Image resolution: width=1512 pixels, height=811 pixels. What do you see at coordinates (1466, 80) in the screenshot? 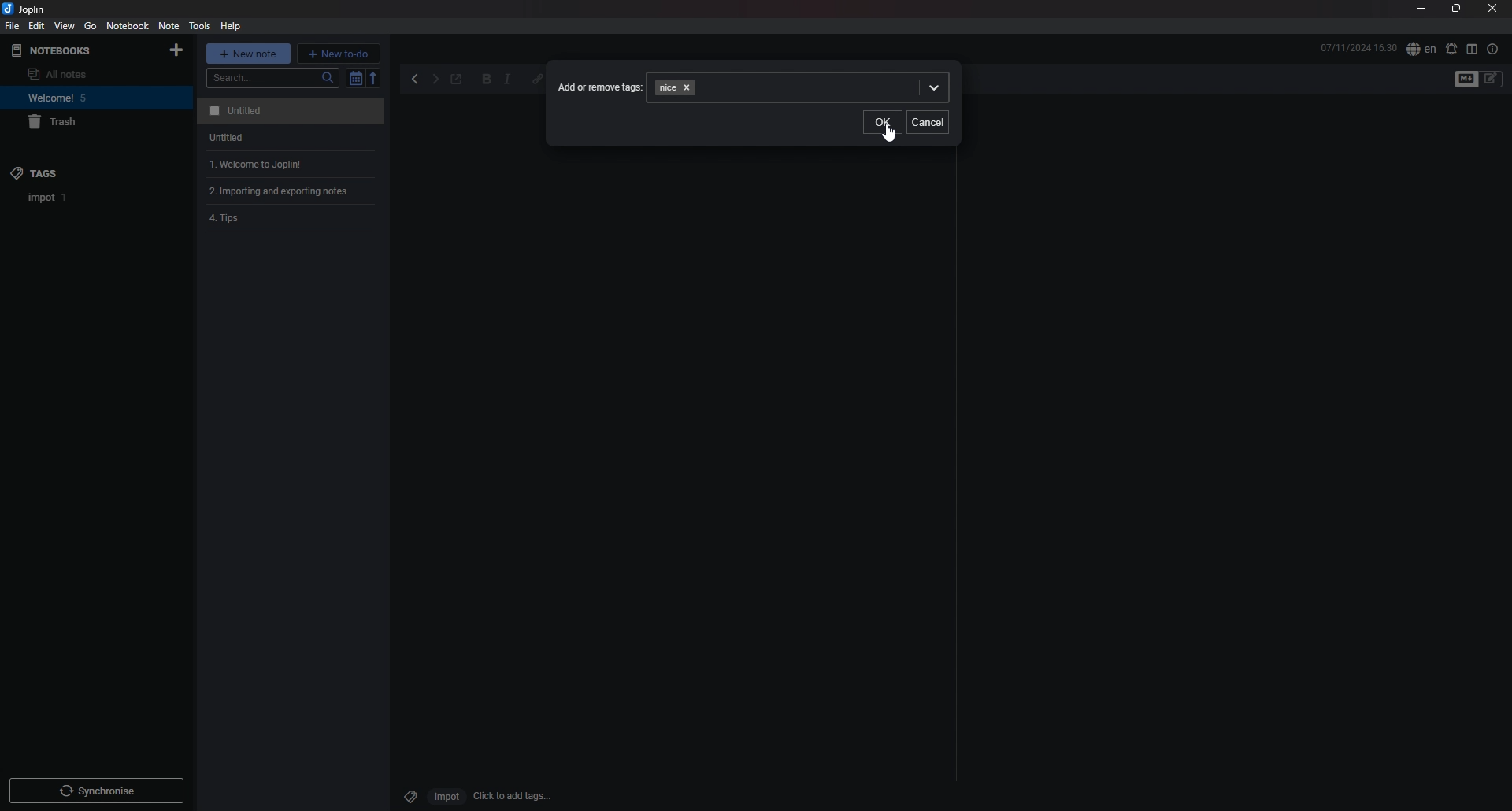
I see `toggle editors` at bounding box center [1466, 80].